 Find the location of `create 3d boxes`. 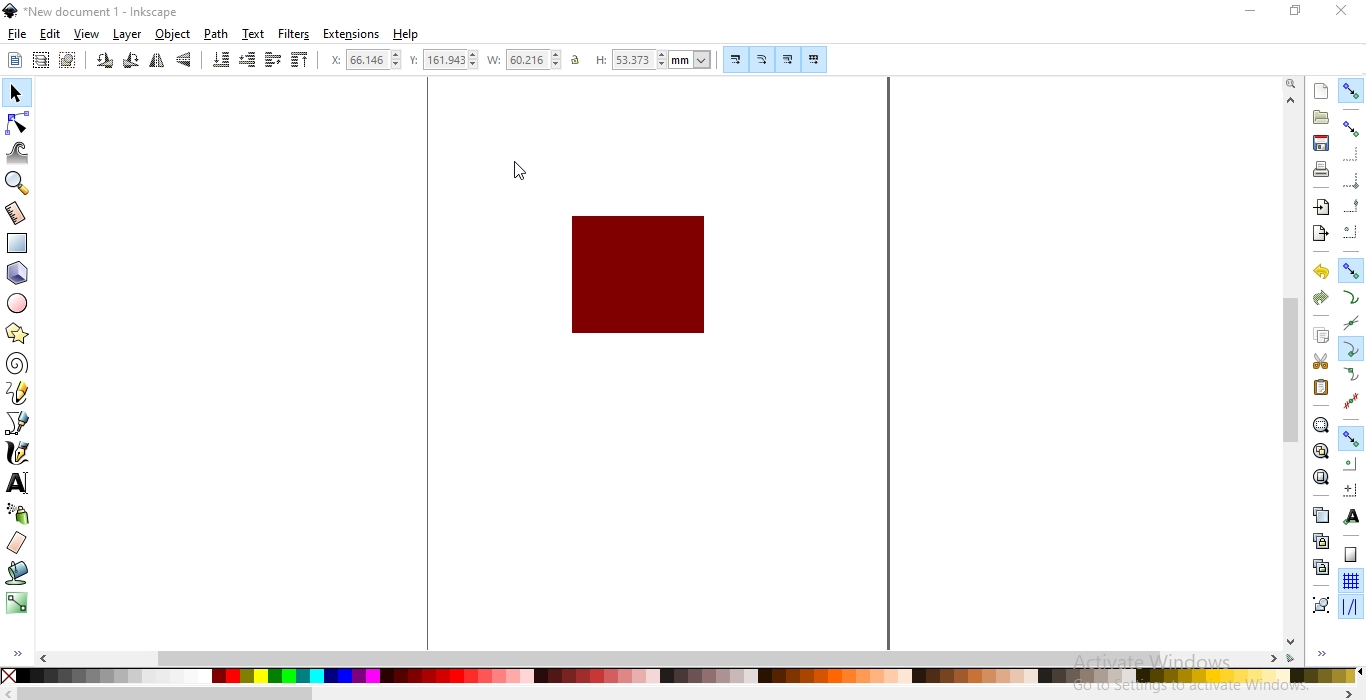

create 3d boxes is located at coordinates (18, 274).